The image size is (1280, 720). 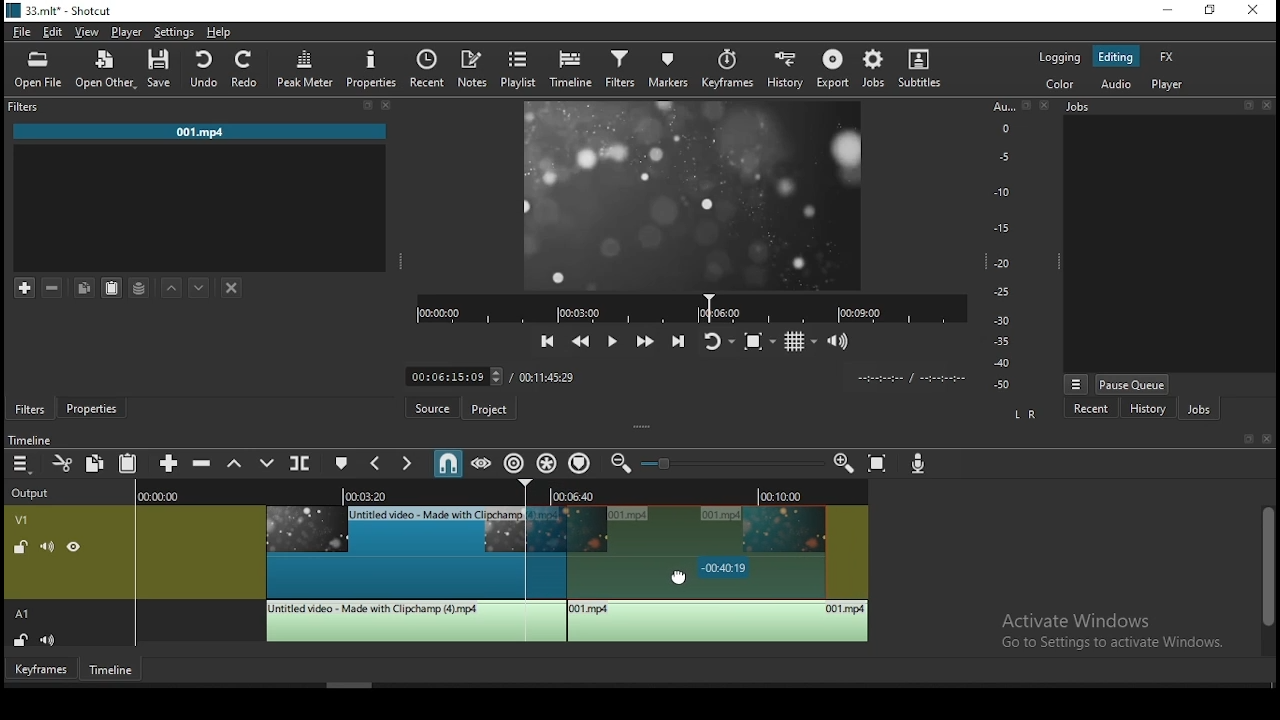 What do you see at coordinates (919, 462) in the screenshot?
I see `record audio` at bounding box center [919, 462].